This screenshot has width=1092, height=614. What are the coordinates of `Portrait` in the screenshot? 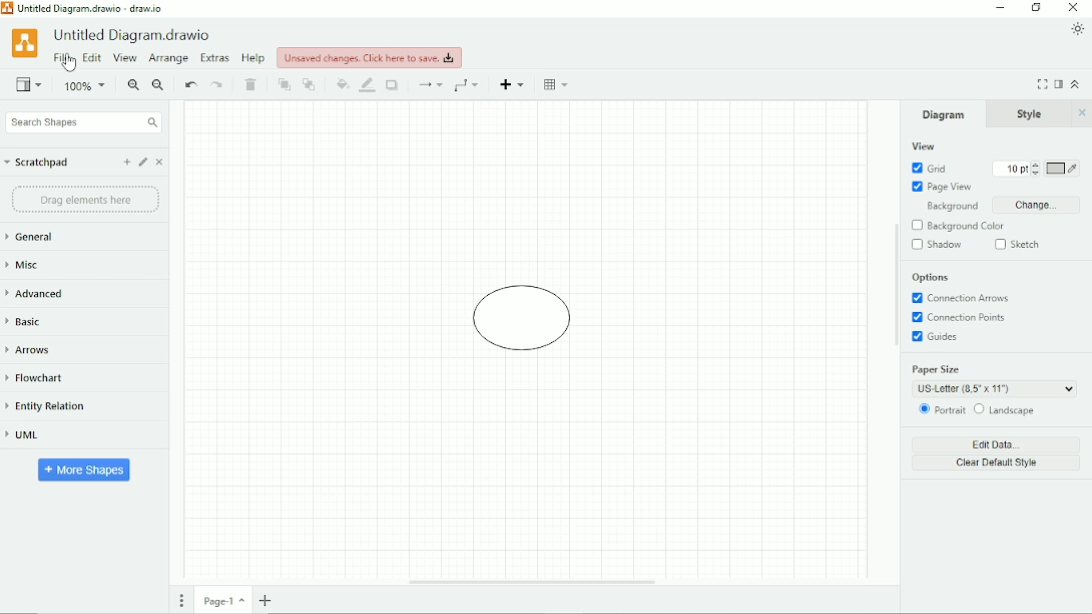 It's located at (942, 411).